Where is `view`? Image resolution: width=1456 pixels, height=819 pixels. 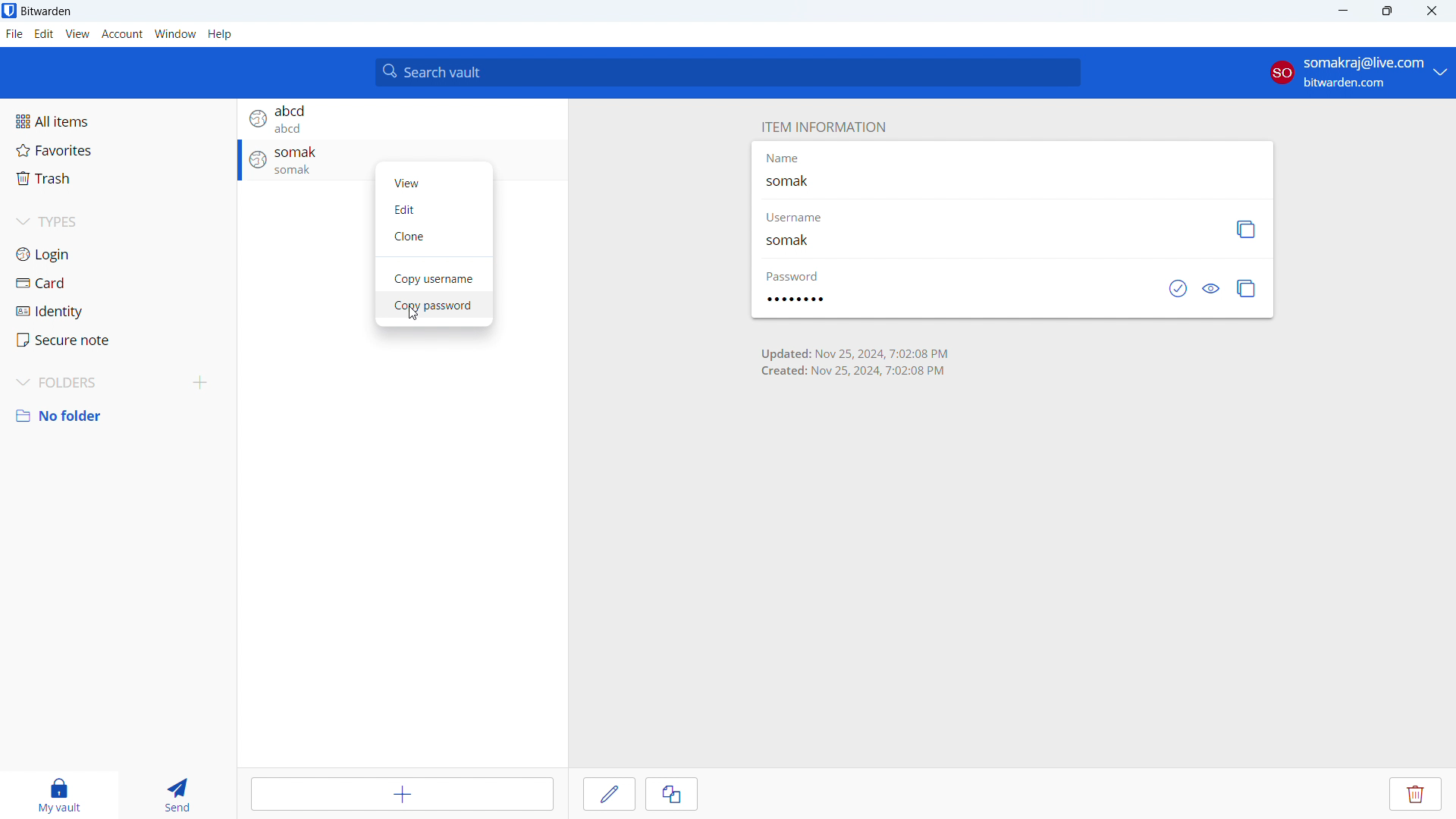 view is located at coordinates (435, 186).